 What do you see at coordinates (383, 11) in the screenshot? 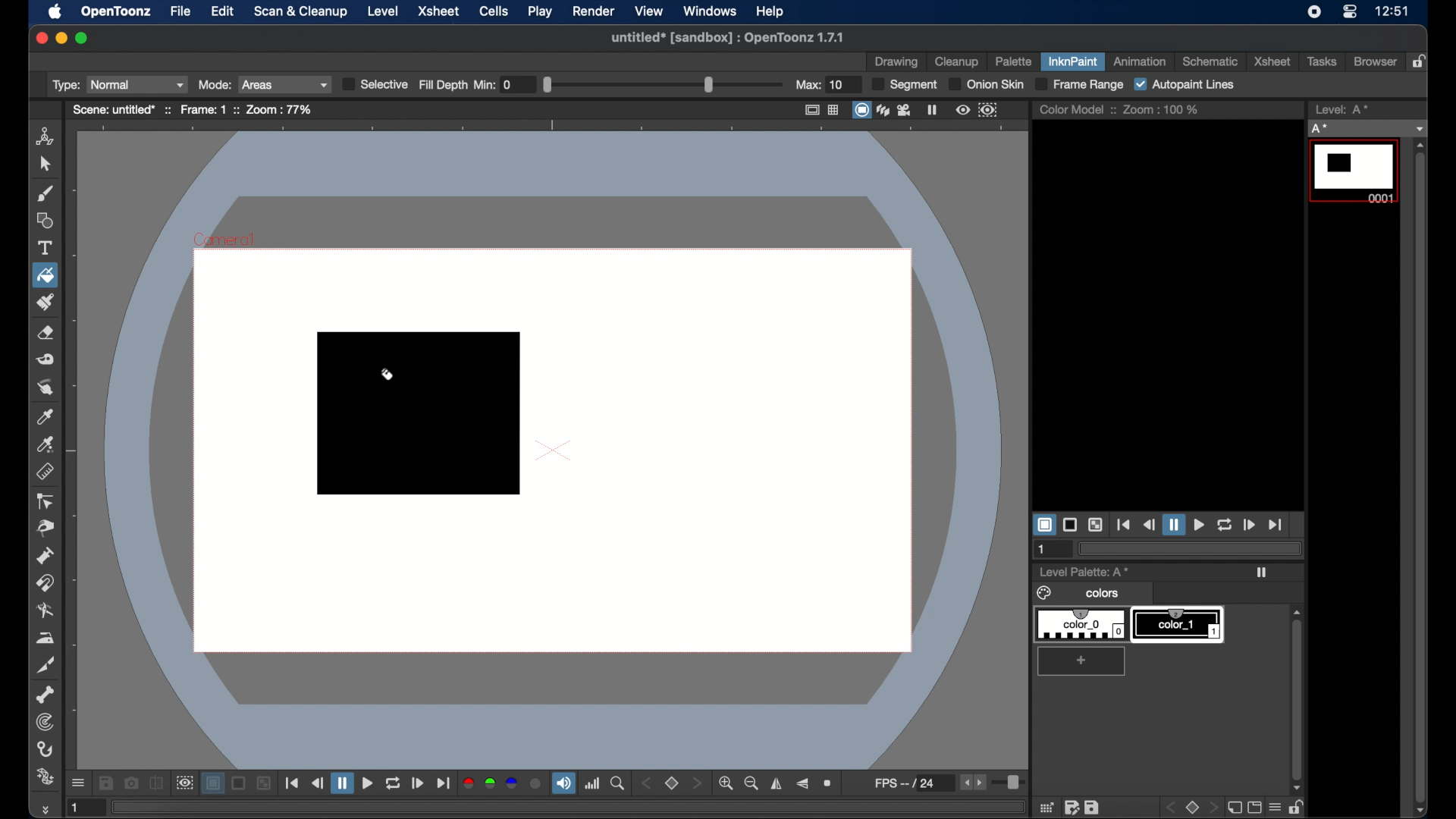
I see `level` at bounding box center [383, 11].